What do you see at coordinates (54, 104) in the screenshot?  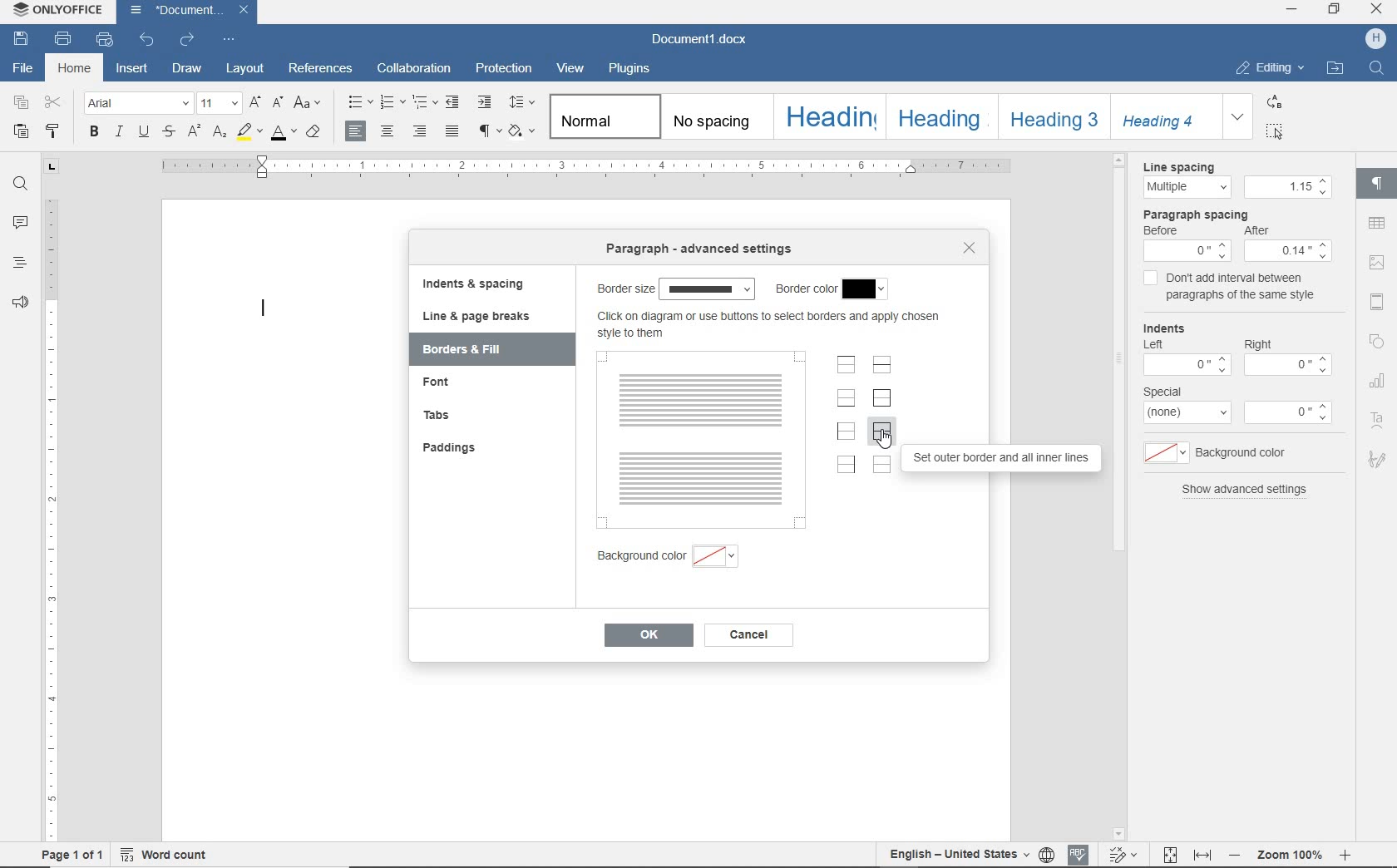 I see `cut` at bounding box center [54, 104].